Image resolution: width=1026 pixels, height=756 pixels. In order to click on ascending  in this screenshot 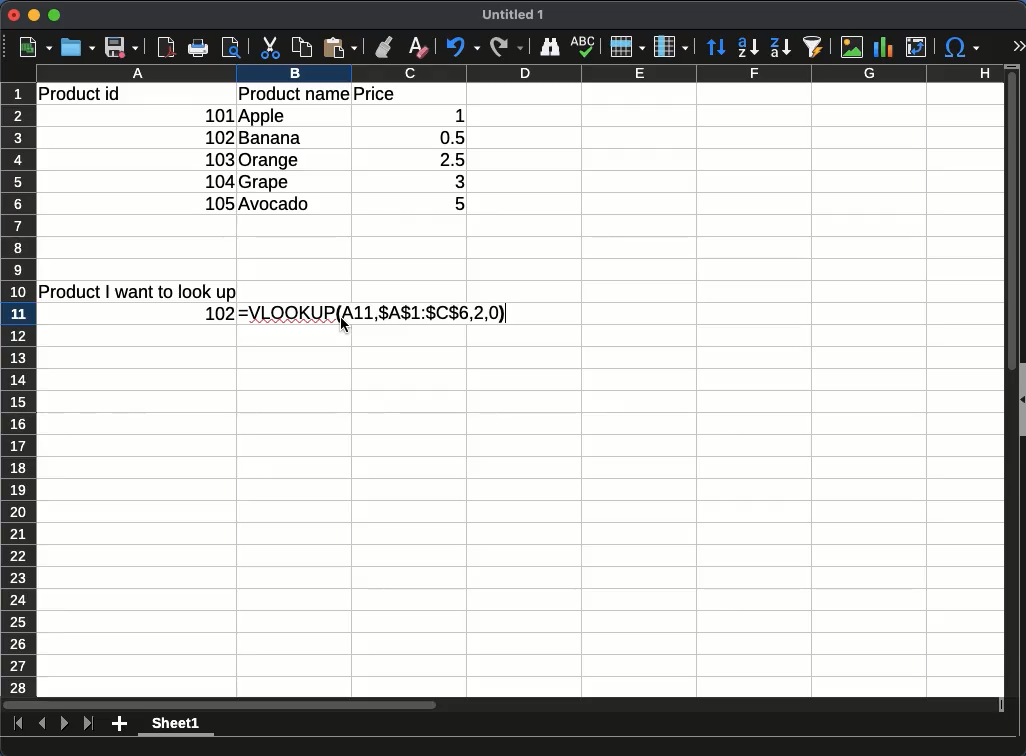, I will do `click(748, 47)`.